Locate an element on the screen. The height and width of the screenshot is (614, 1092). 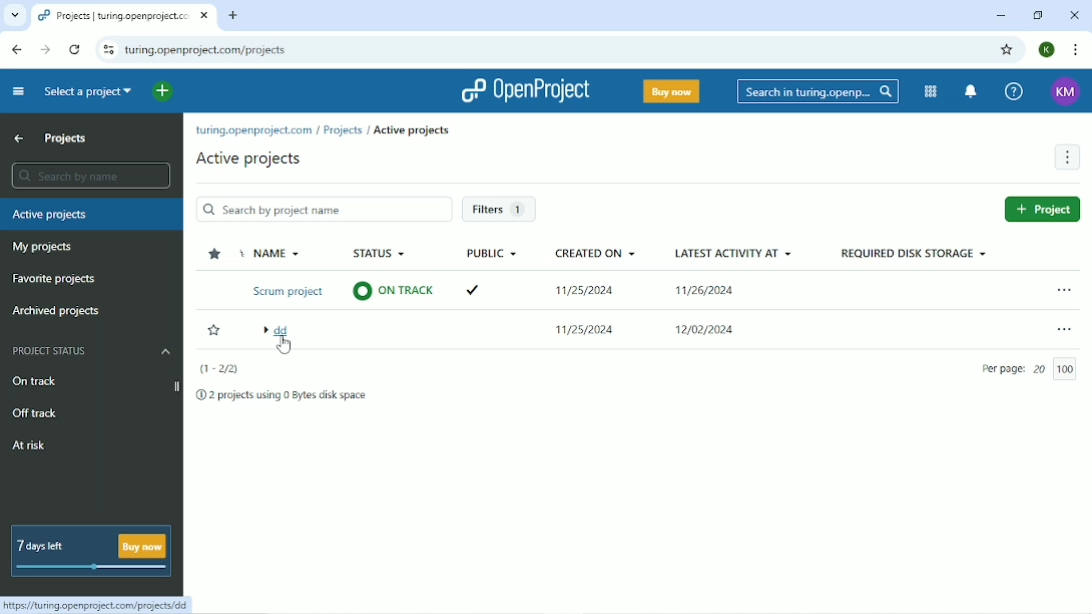
Site is located at coordinates (205, 50).